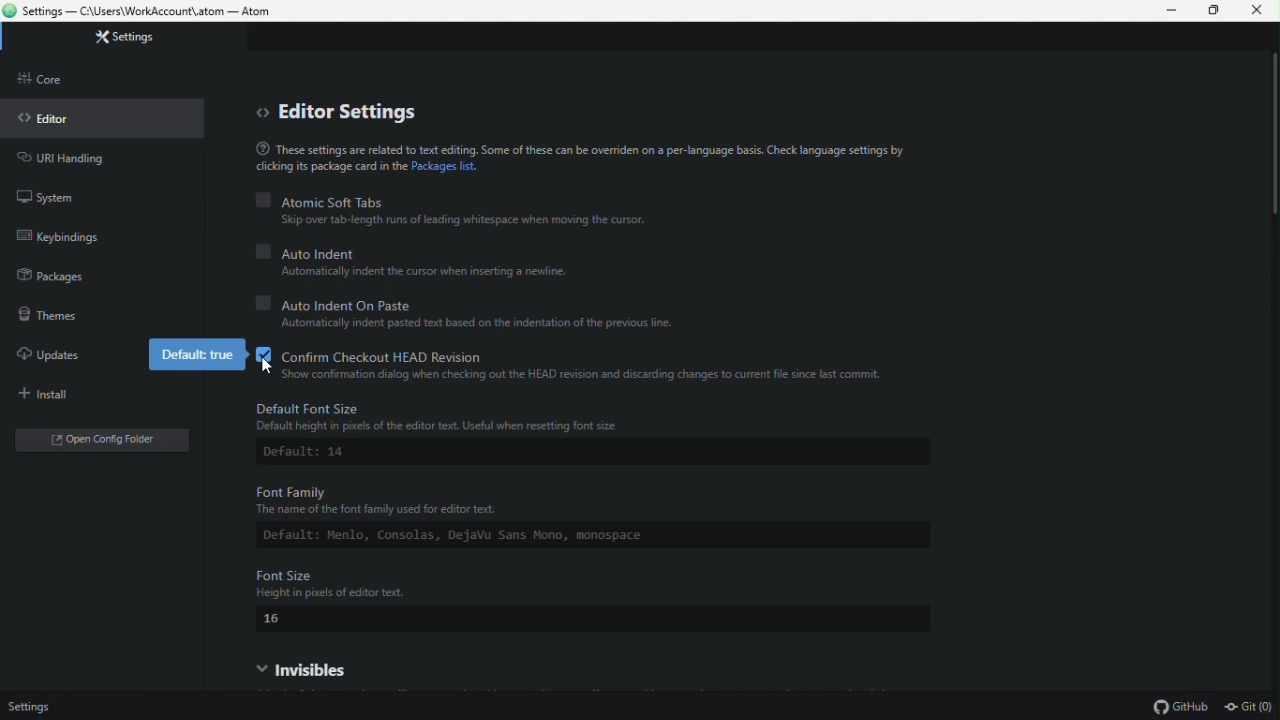  I want to click on Font Family
The name of the font family used for editor text., so click(527, 498).